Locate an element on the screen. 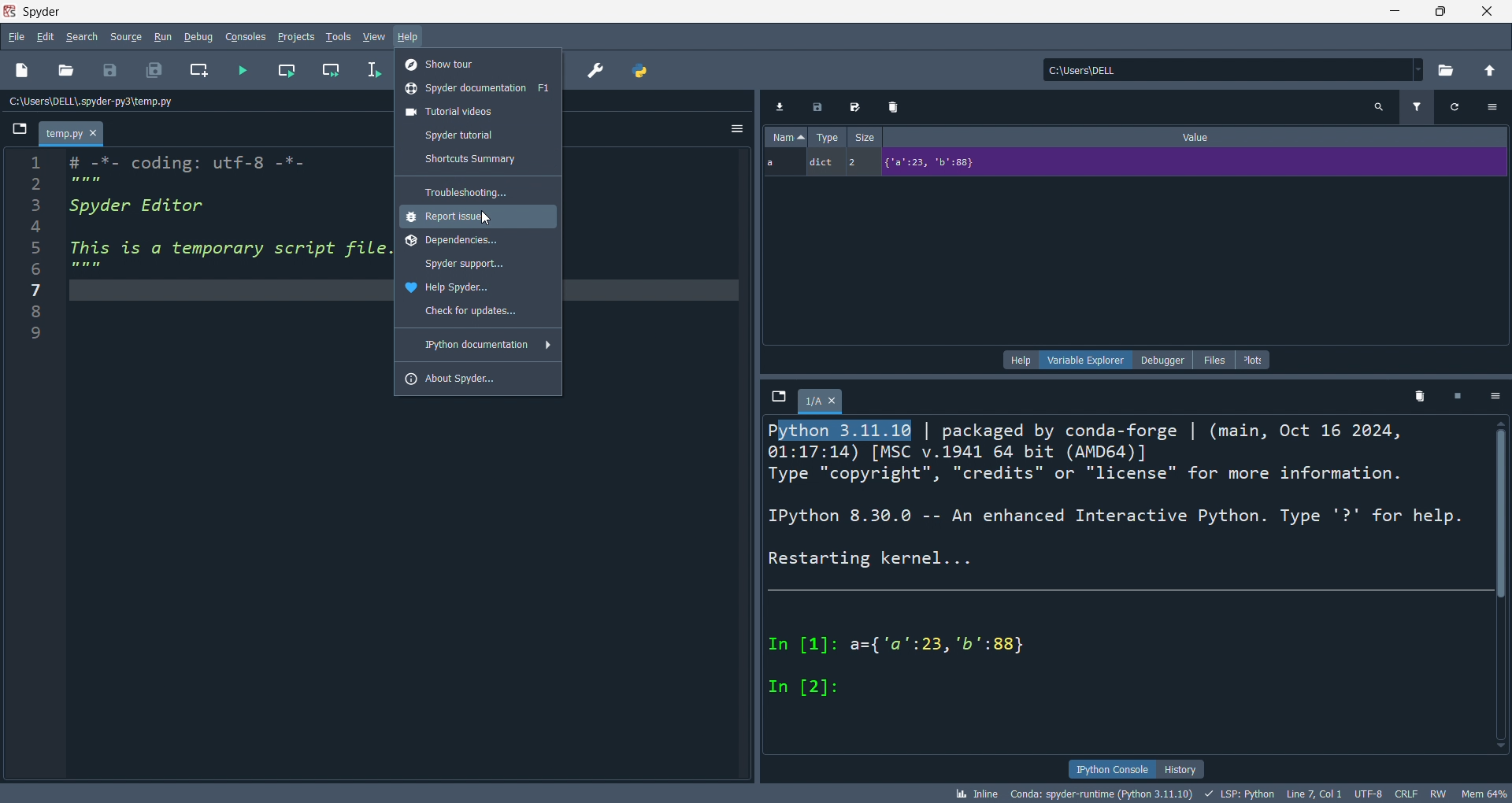 This screenshot has height=803, width=1512. Type is located at coordinates (828, 137).